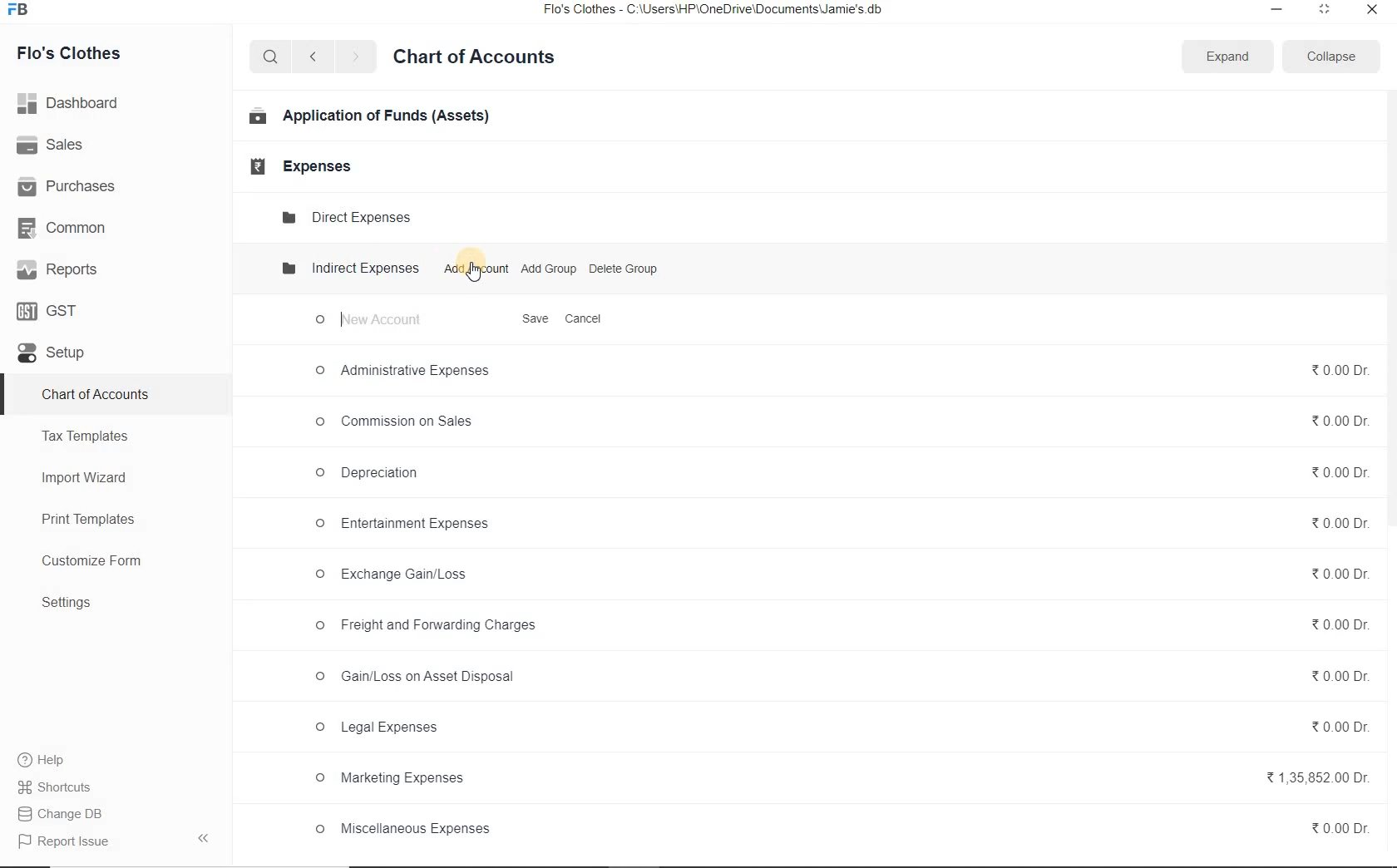 The width and height of the screenshot is (1397, 868). Describe the element at coordinates (69, 787) in the screenshot. I see `Shortcuts` at that location.